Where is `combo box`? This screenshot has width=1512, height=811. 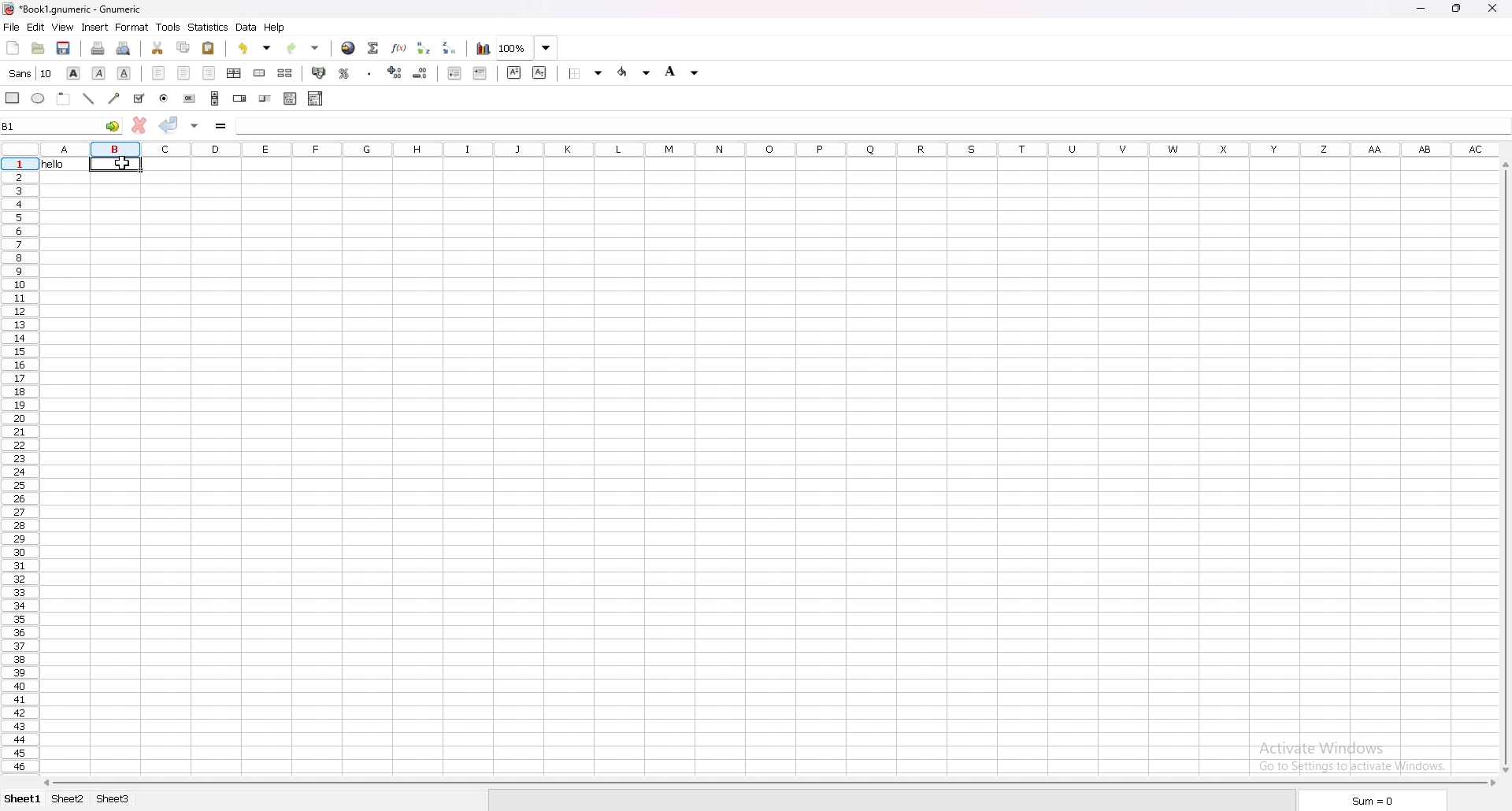
combo box is located at coordinates (316, 98).